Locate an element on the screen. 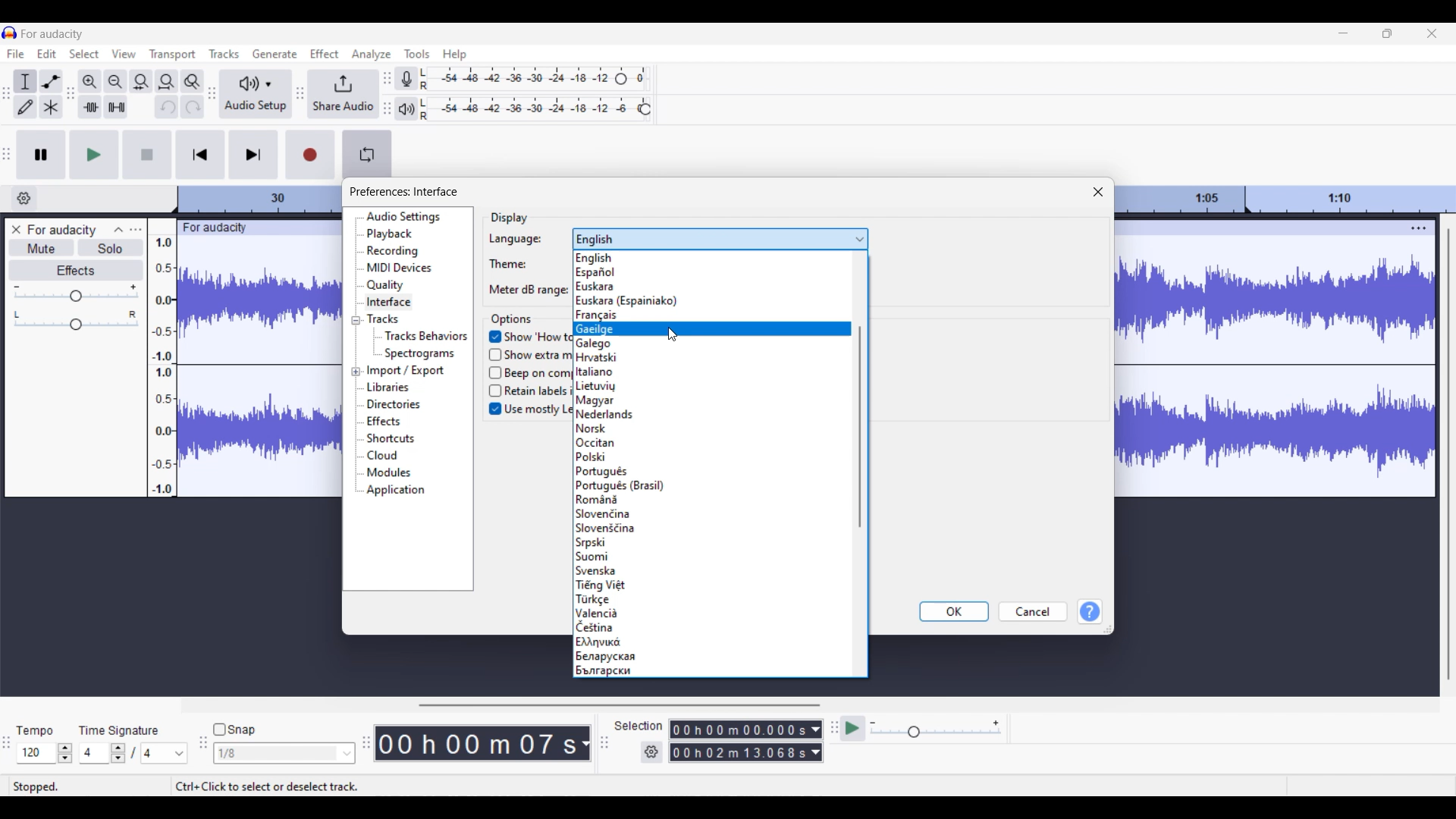  Help is located at coordinates (1090, 612).